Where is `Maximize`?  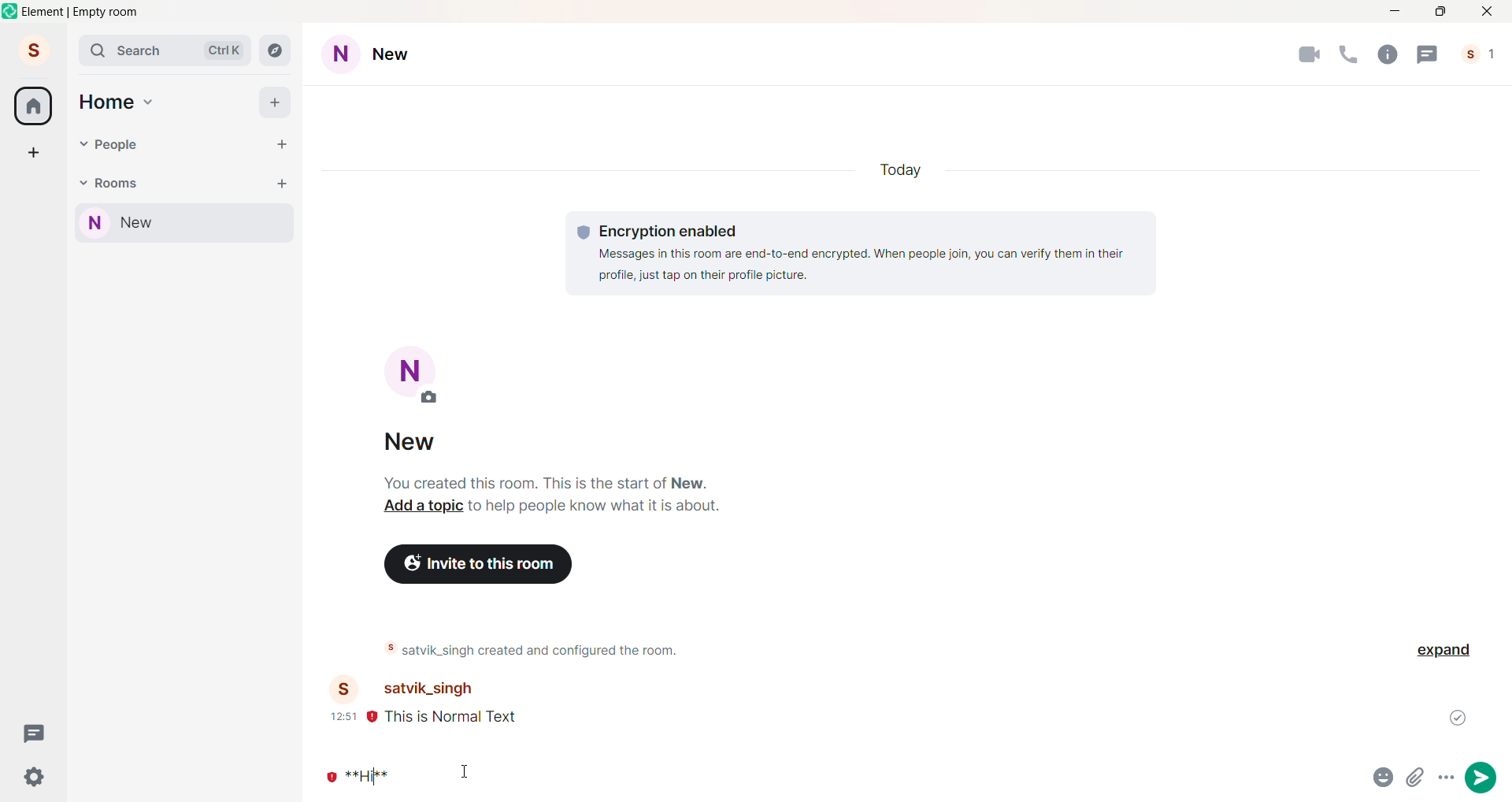
Maximize is located at coordinates (1440, 12).